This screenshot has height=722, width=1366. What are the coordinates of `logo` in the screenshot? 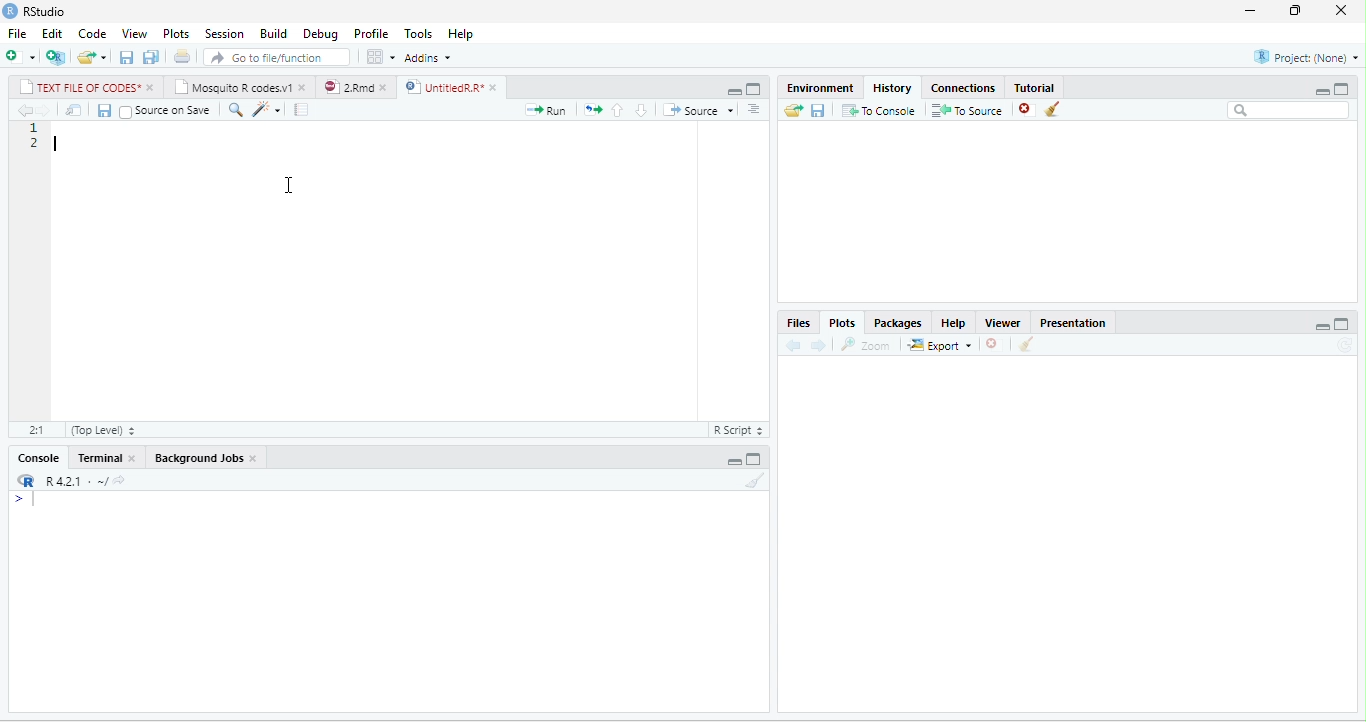 It's located at (10, 11).